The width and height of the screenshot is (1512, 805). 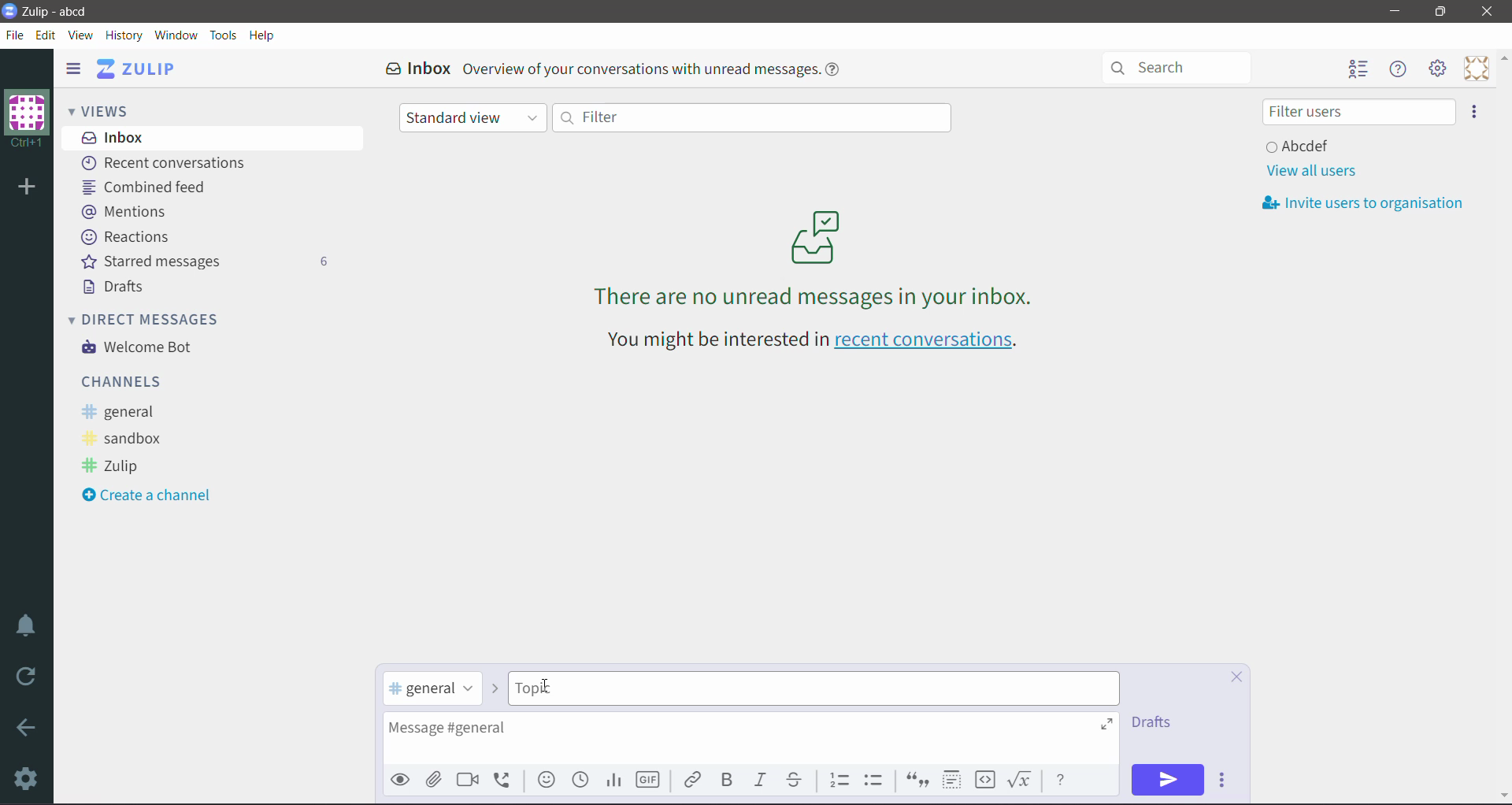 I want to click on You might be interested in recent conversations - Click link to open recent conversations, so click(x=817, y=342).